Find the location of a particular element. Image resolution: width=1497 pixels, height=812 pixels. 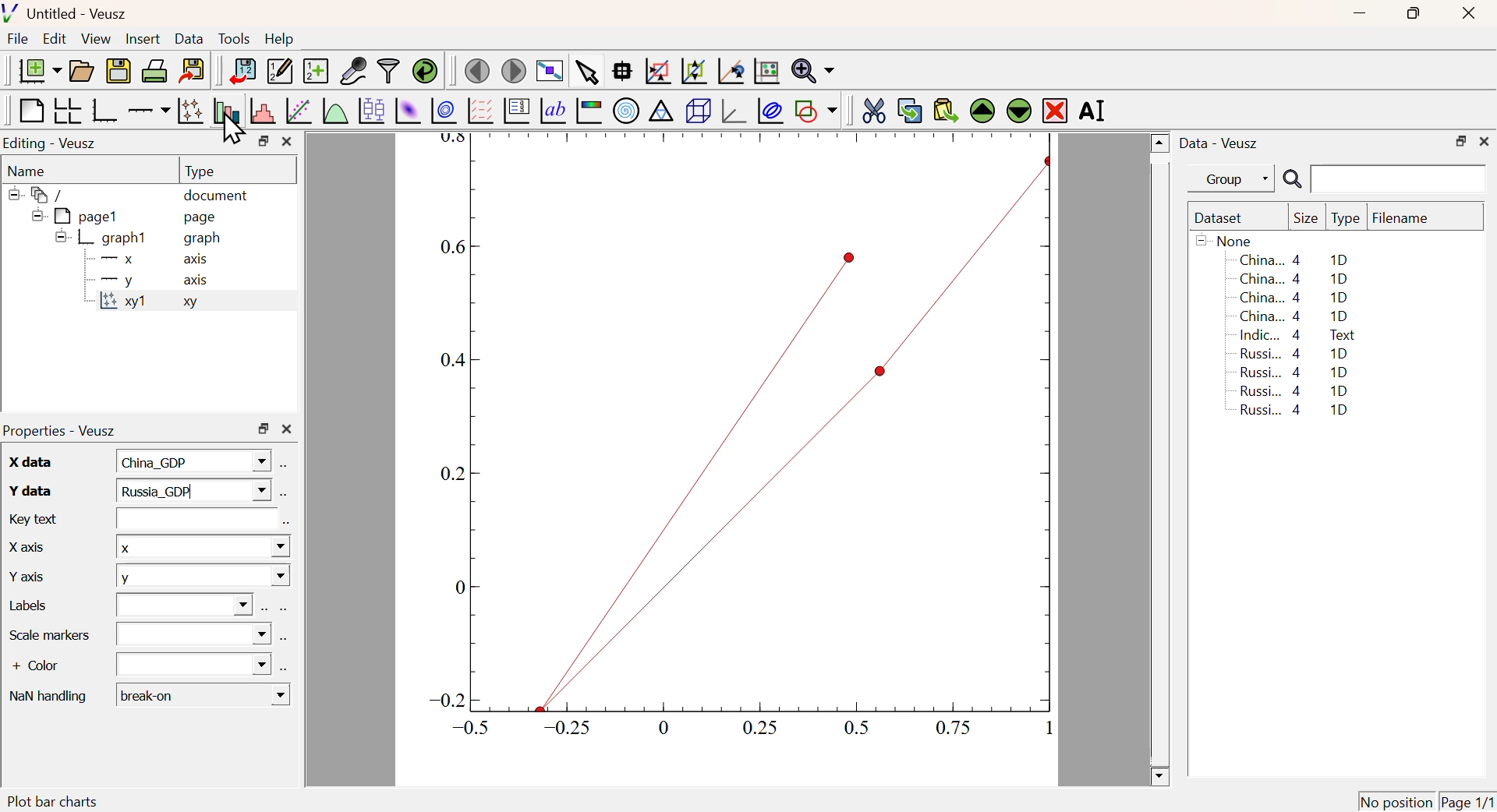

Search Input is located at coordinates (1400, 178).